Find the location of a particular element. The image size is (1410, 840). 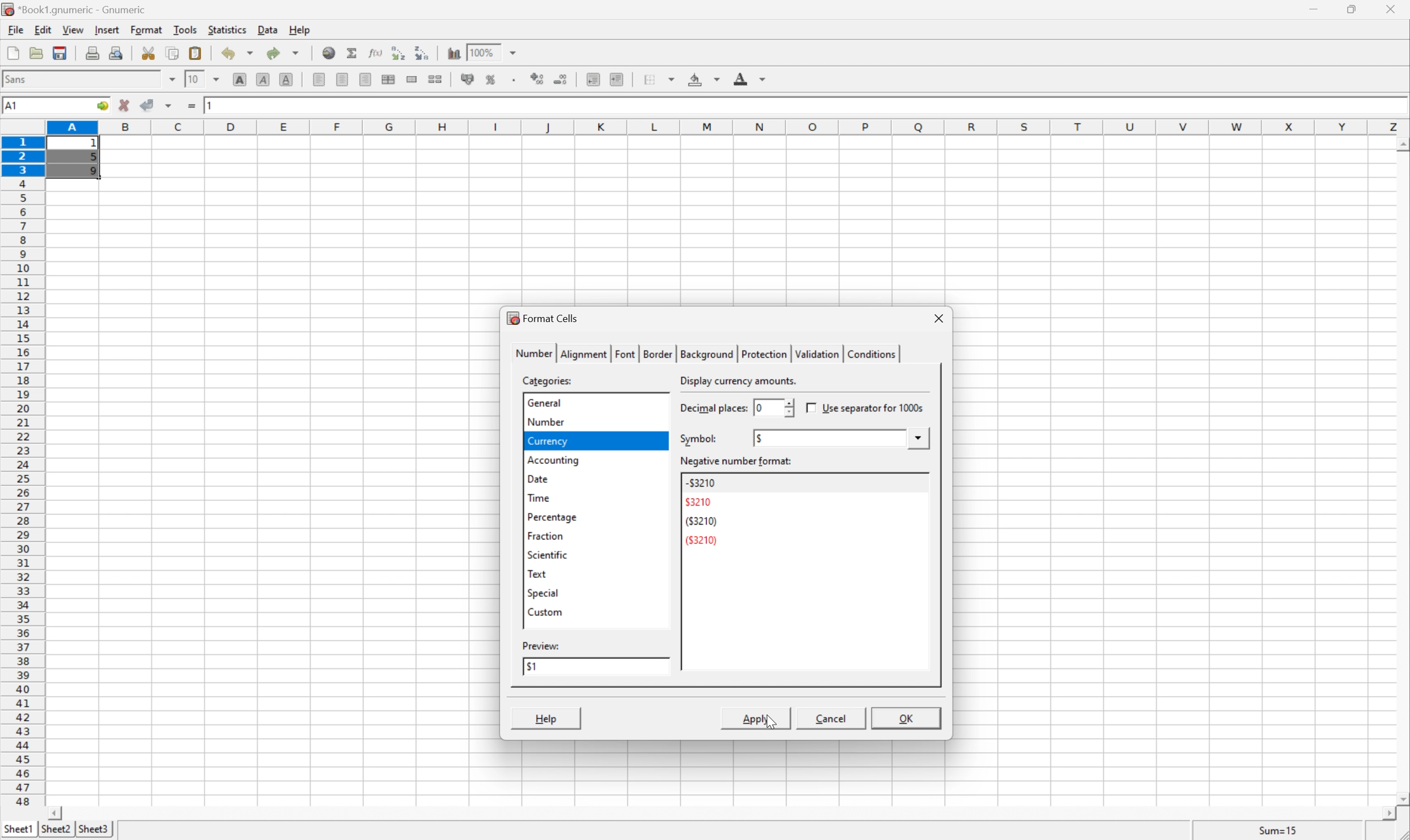

preview: is located at coordinates (542, 645).